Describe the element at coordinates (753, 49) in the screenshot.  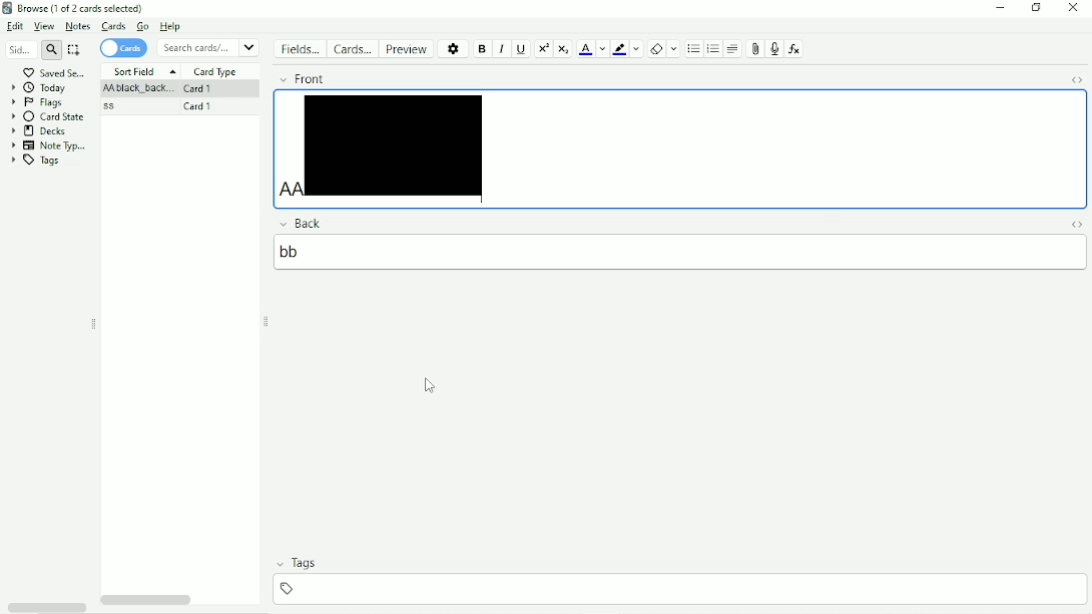
I see `Attach pictures/audio/video` at that location.